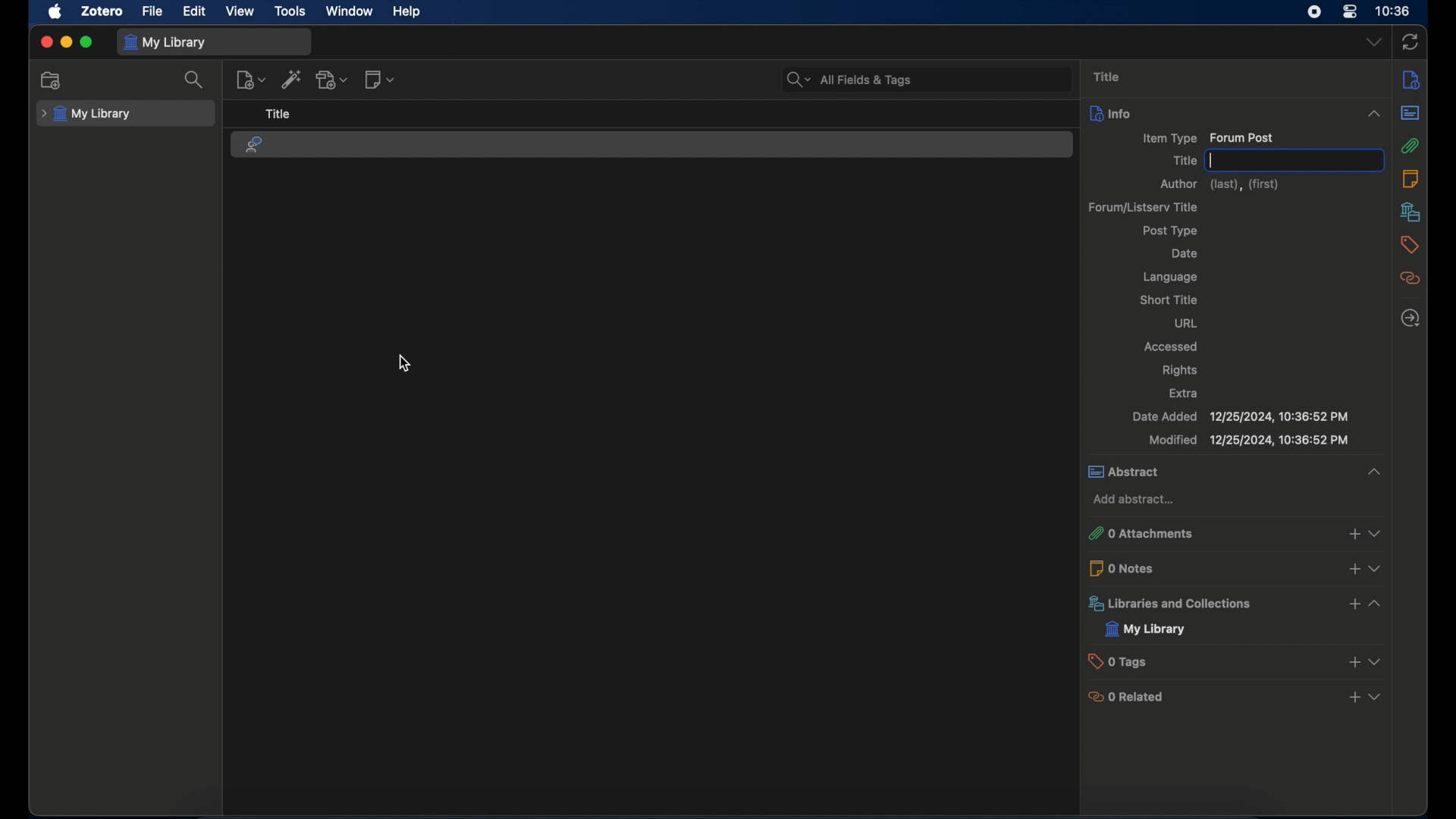  Describe the element at coordinates (1235, 113) in the screenshot. I see `info` at that location.